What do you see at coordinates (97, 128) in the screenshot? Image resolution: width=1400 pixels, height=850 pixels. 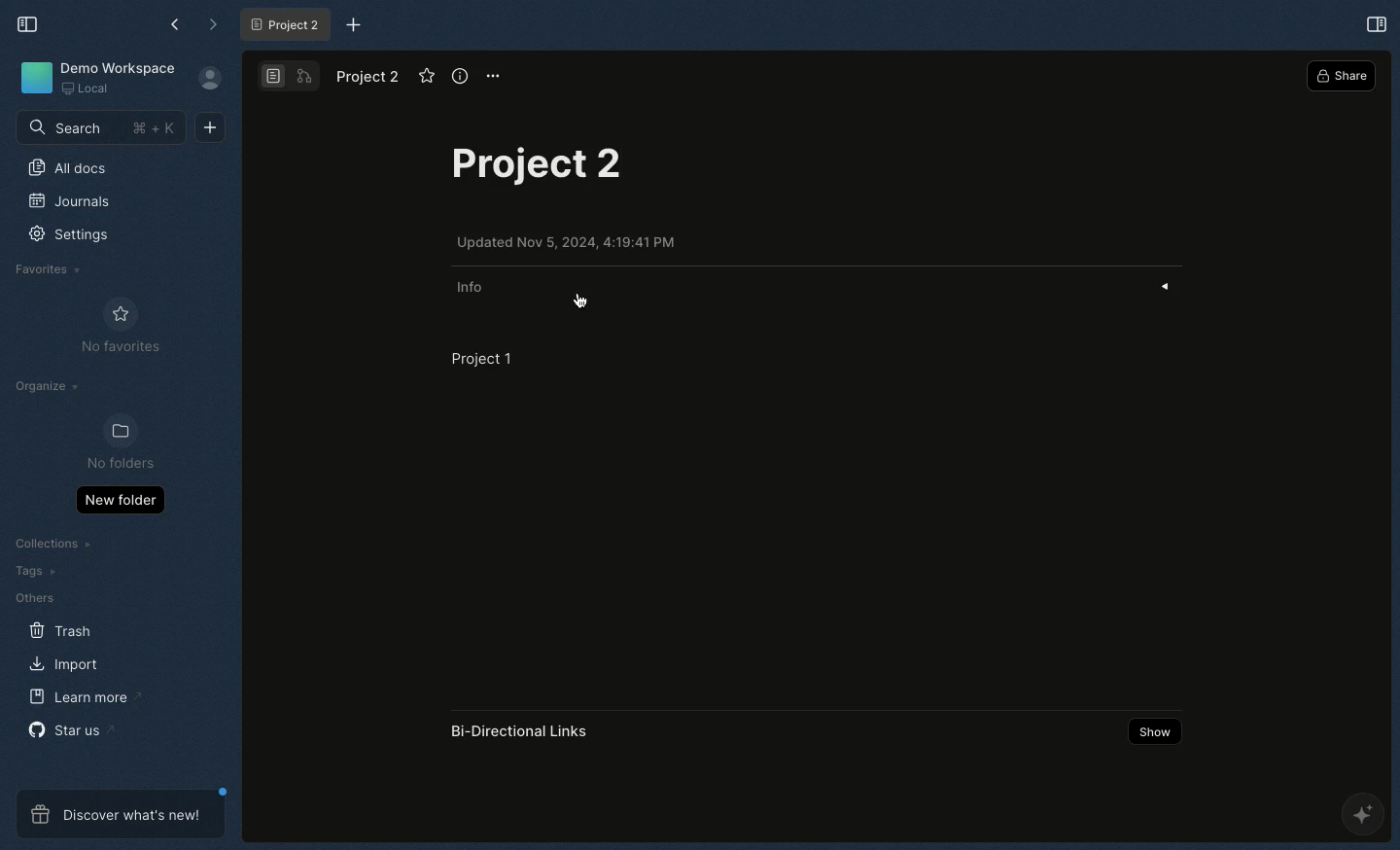 I see `Search` at bounding box center [97, 128].